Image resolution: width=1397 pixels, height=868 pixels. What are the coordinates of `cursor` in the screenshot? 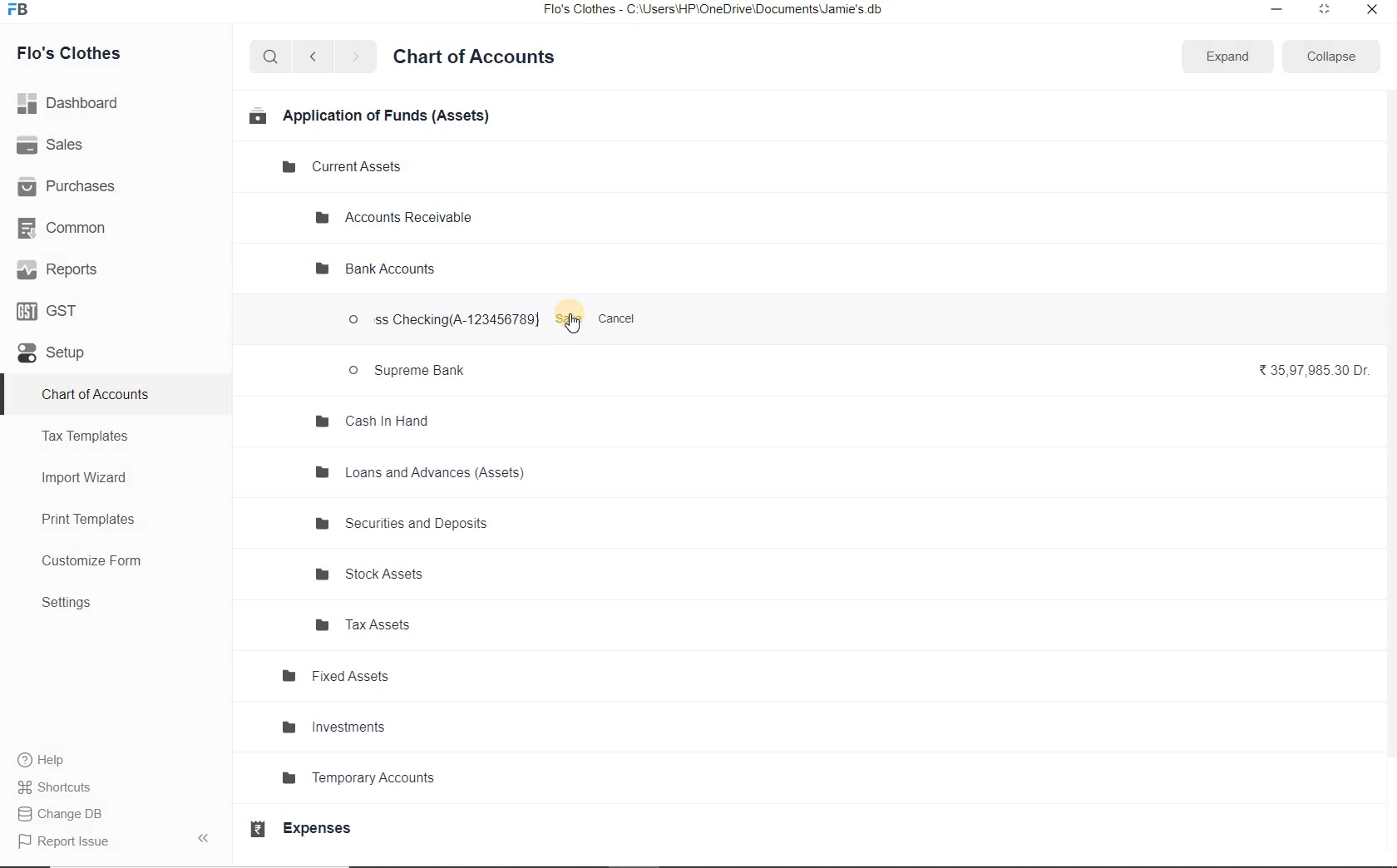 It's located at (572, 326).